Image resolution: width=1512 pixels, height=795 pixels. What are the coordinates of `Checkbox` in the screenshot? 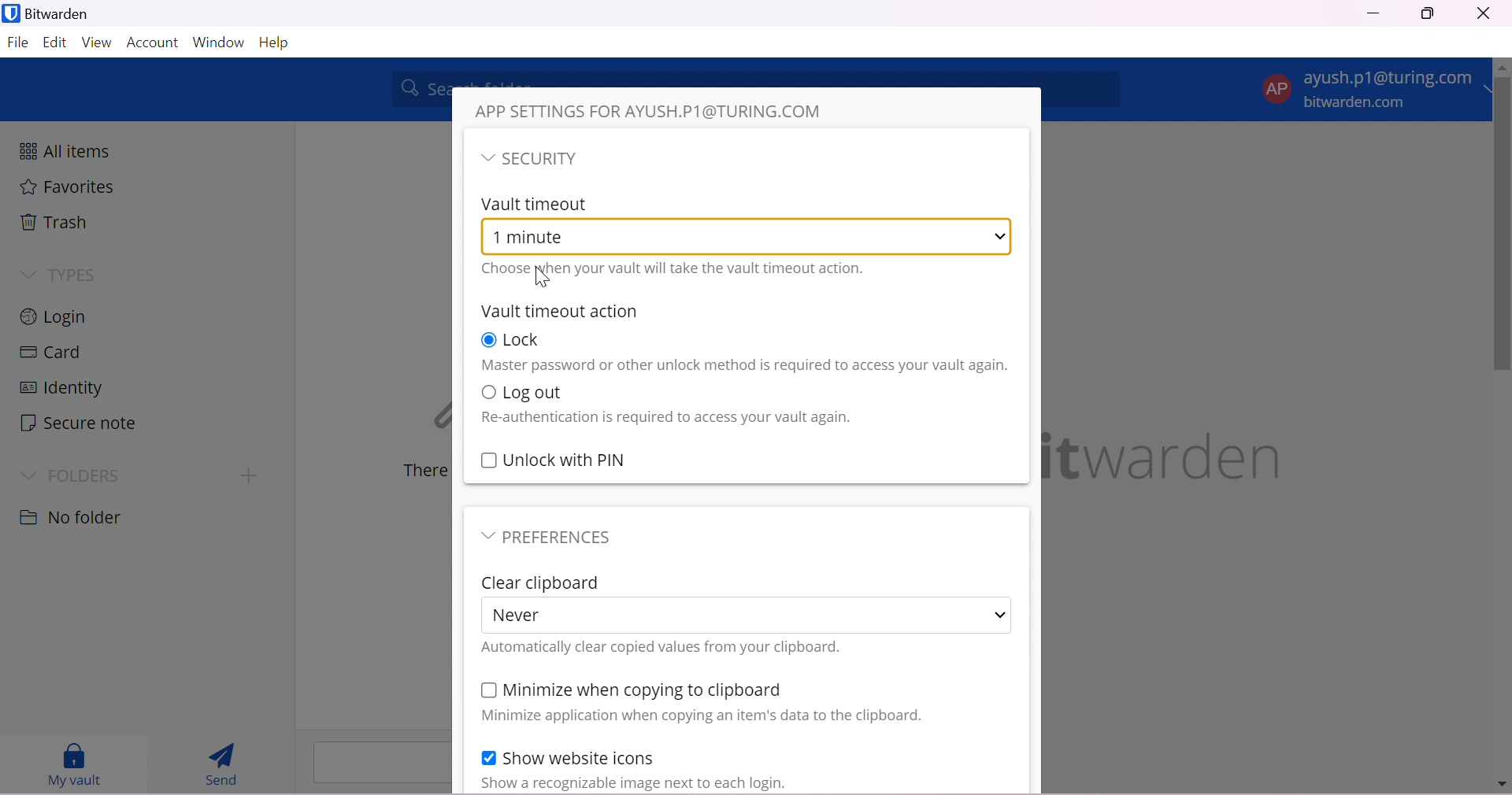 It's located at (487, 394).